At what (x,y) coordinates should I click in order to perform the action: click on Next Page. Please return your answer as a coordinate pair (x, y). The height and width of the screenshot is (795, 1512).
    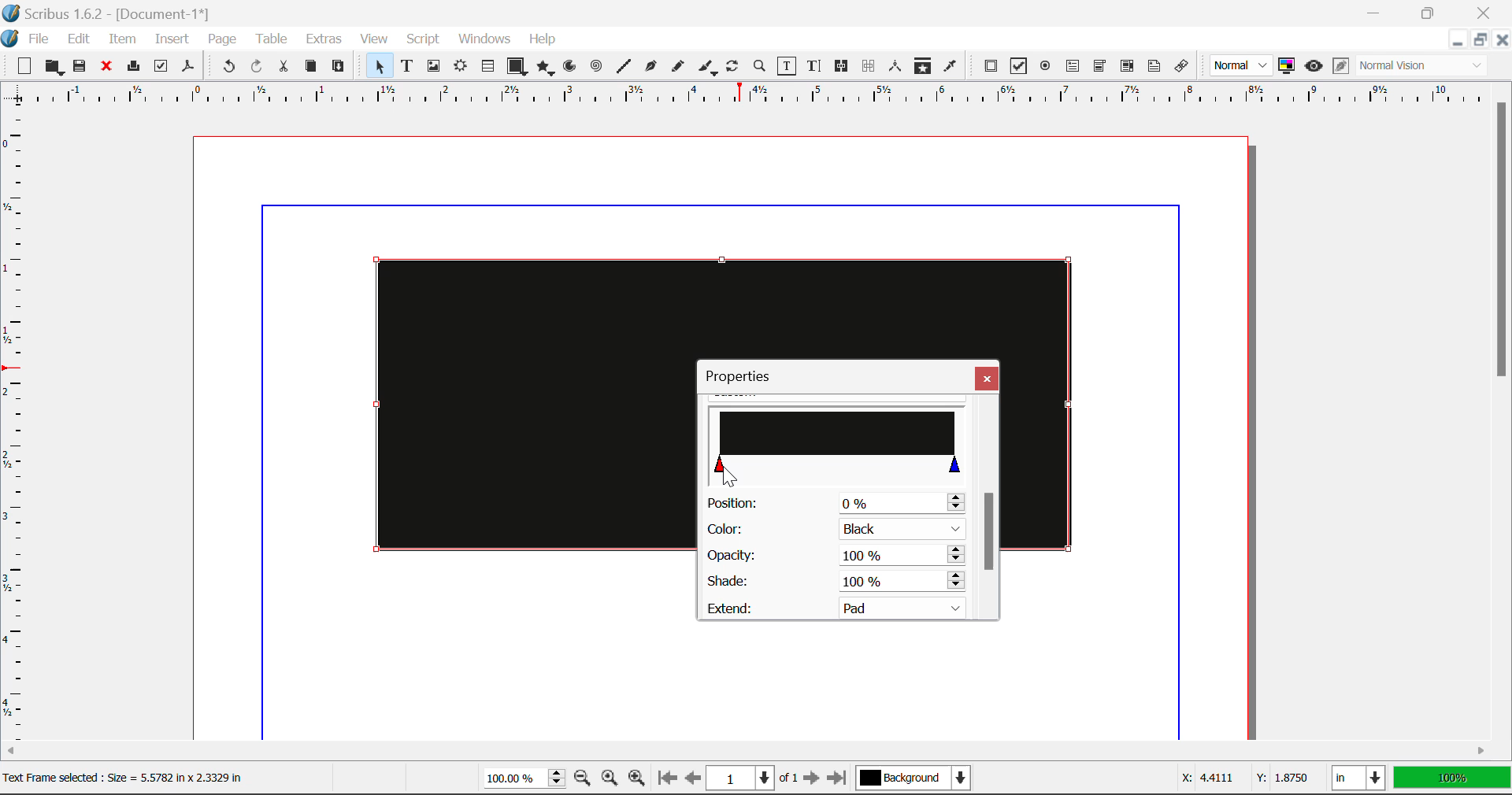
    Looking at the image, I should click on (811, 779).